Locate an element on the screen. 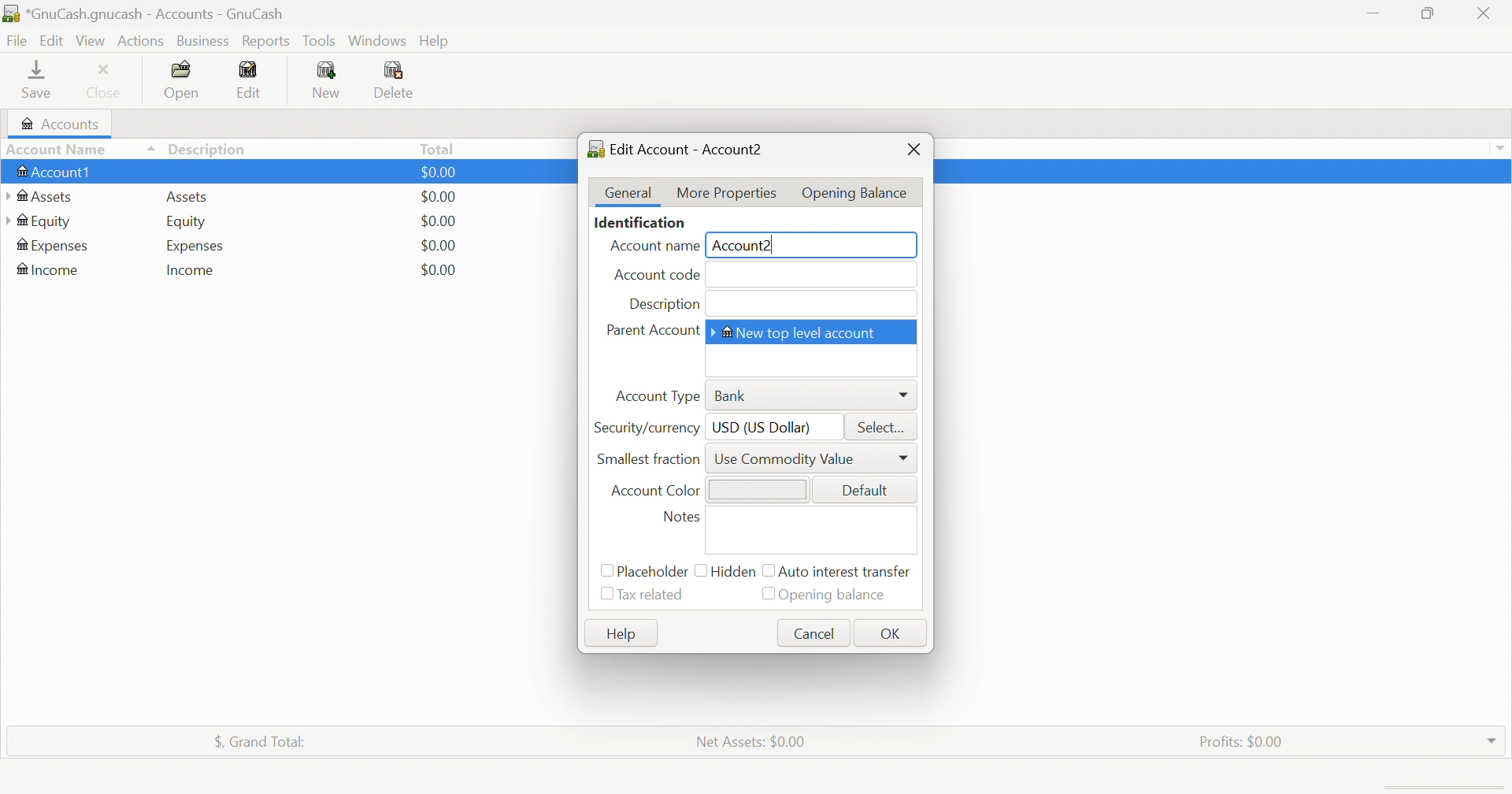 This screenshot has height=794, width=1512. Identification is located at coordinates (639, 224).